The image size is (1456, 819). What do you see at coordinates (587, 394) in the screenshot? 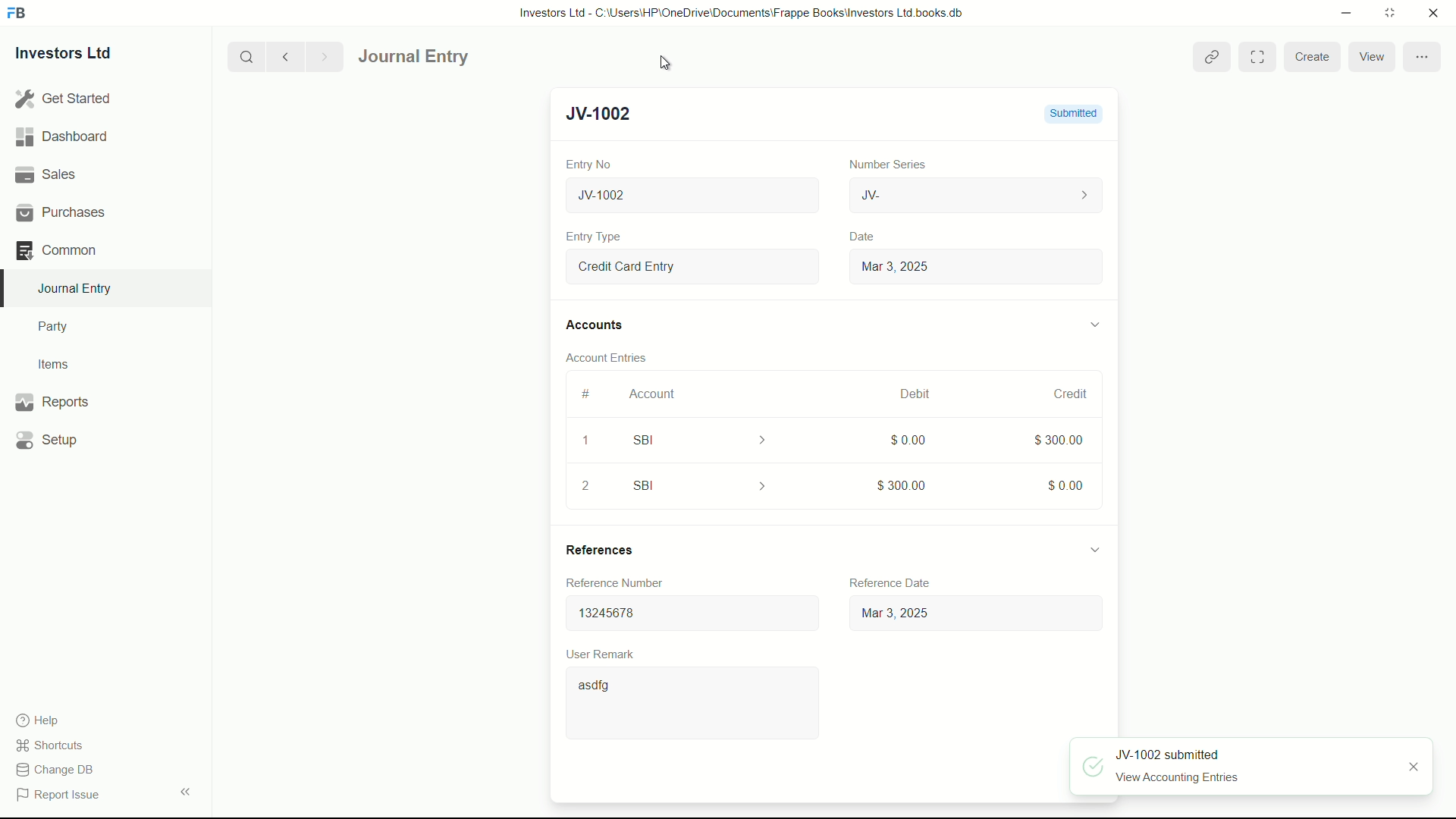
I see `#` at bounding box center [587, 394].